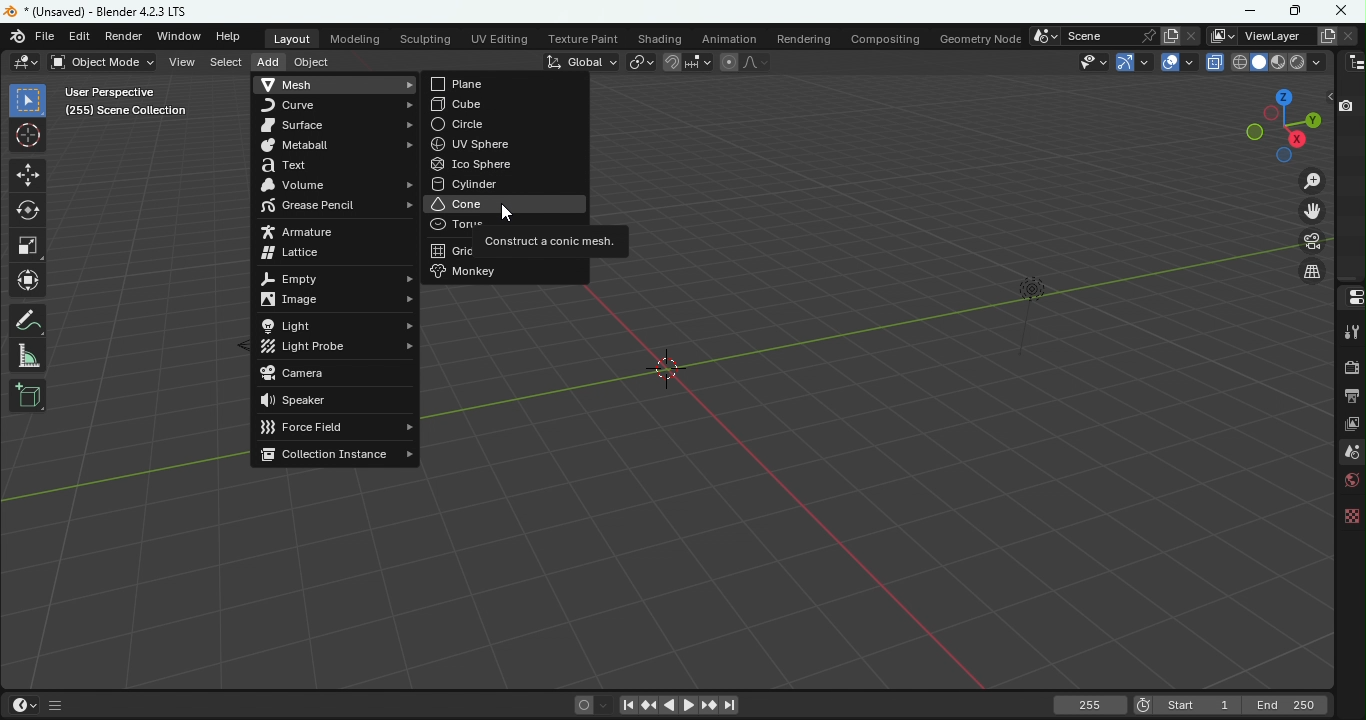 Image resolution: width=1366 pixels, height=720 pixels. Describe the element at coordinates (506, 105) in the screenshot. I see `Cube` at that location.